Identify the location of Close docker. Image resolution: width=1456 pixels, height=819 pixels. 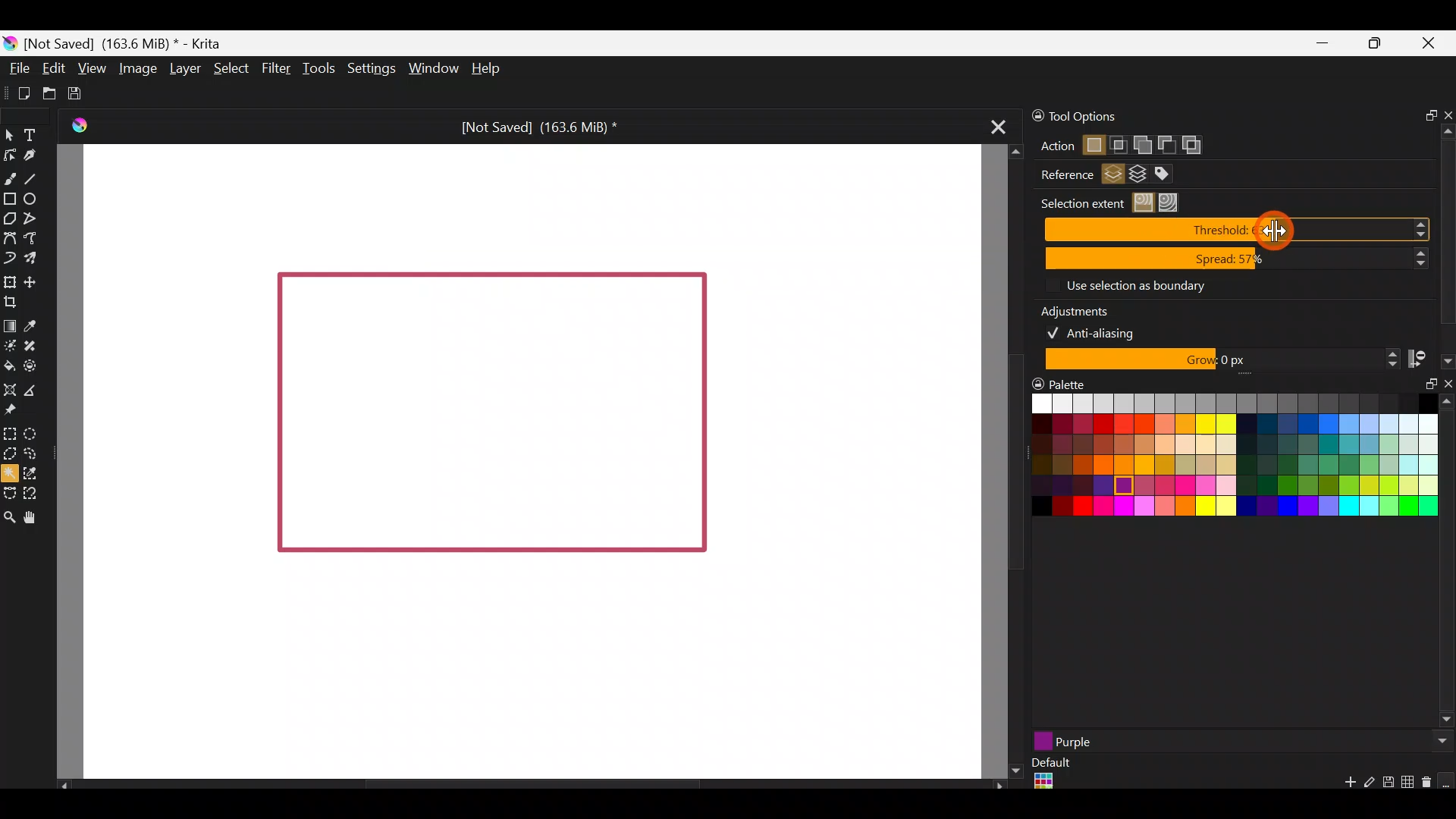
(1446, 111).